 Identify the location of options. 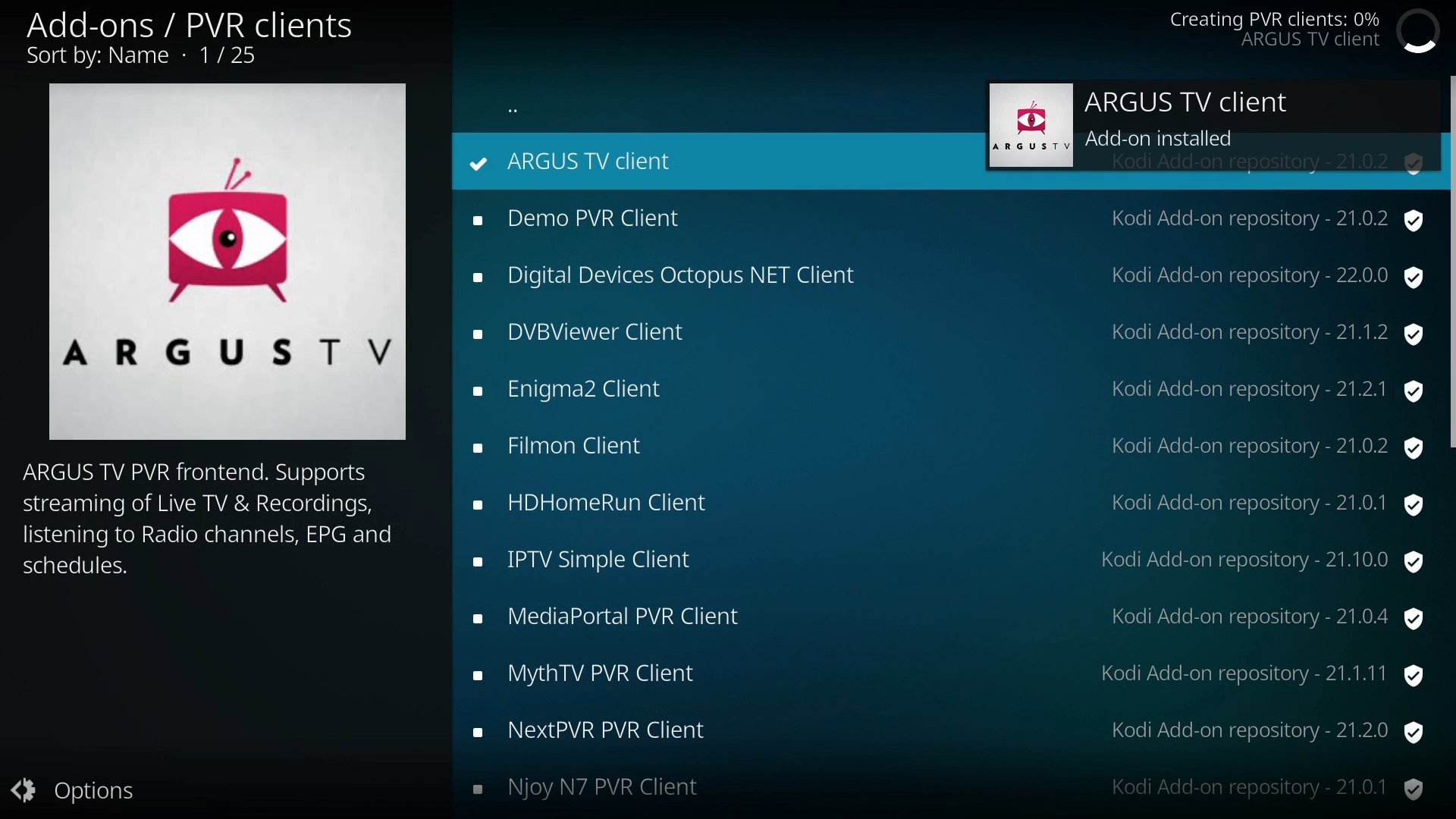
(88, 789).